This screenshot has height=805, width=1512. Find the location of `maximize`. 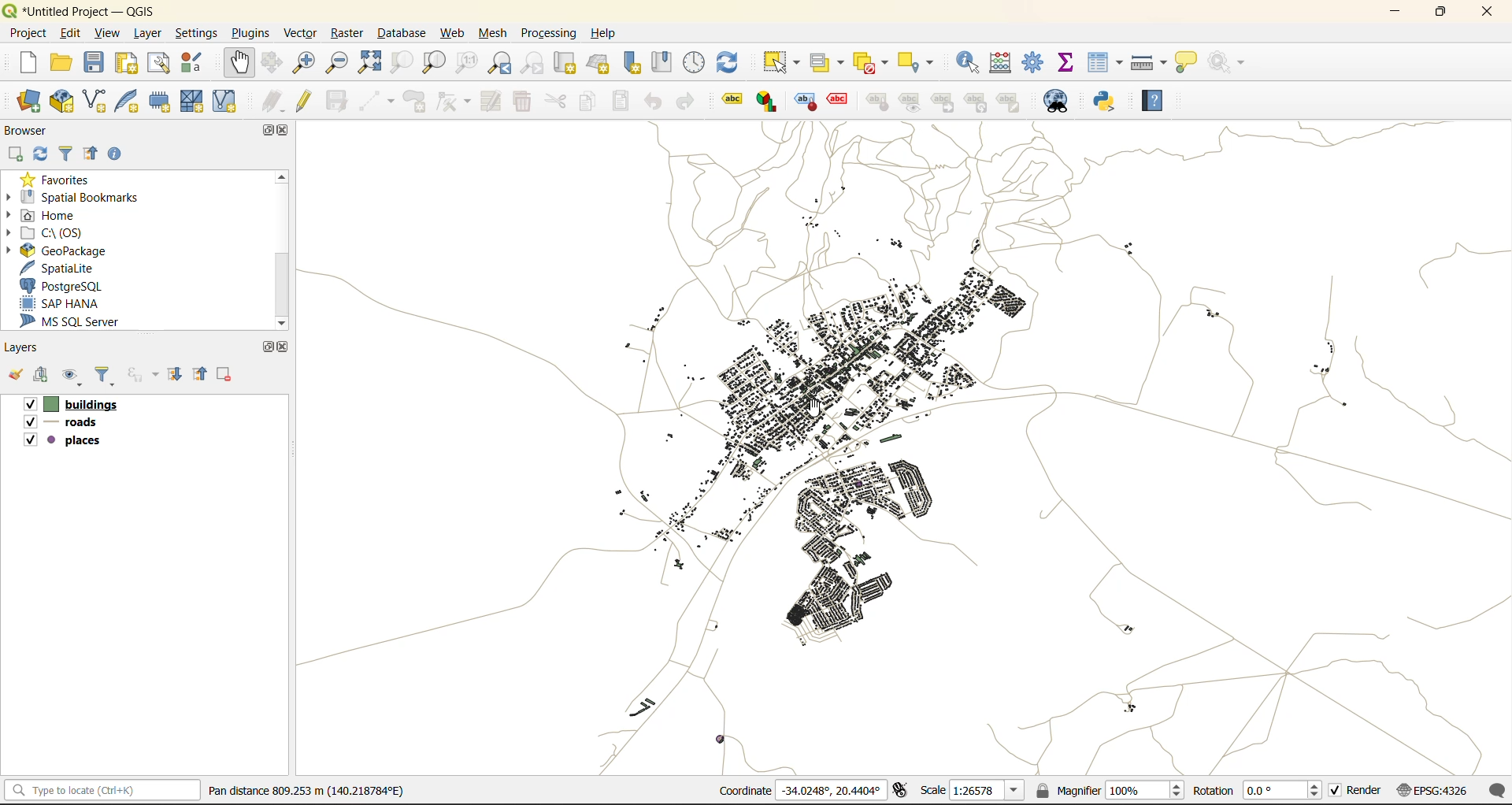

maximize is located at coordinates (265, 347).